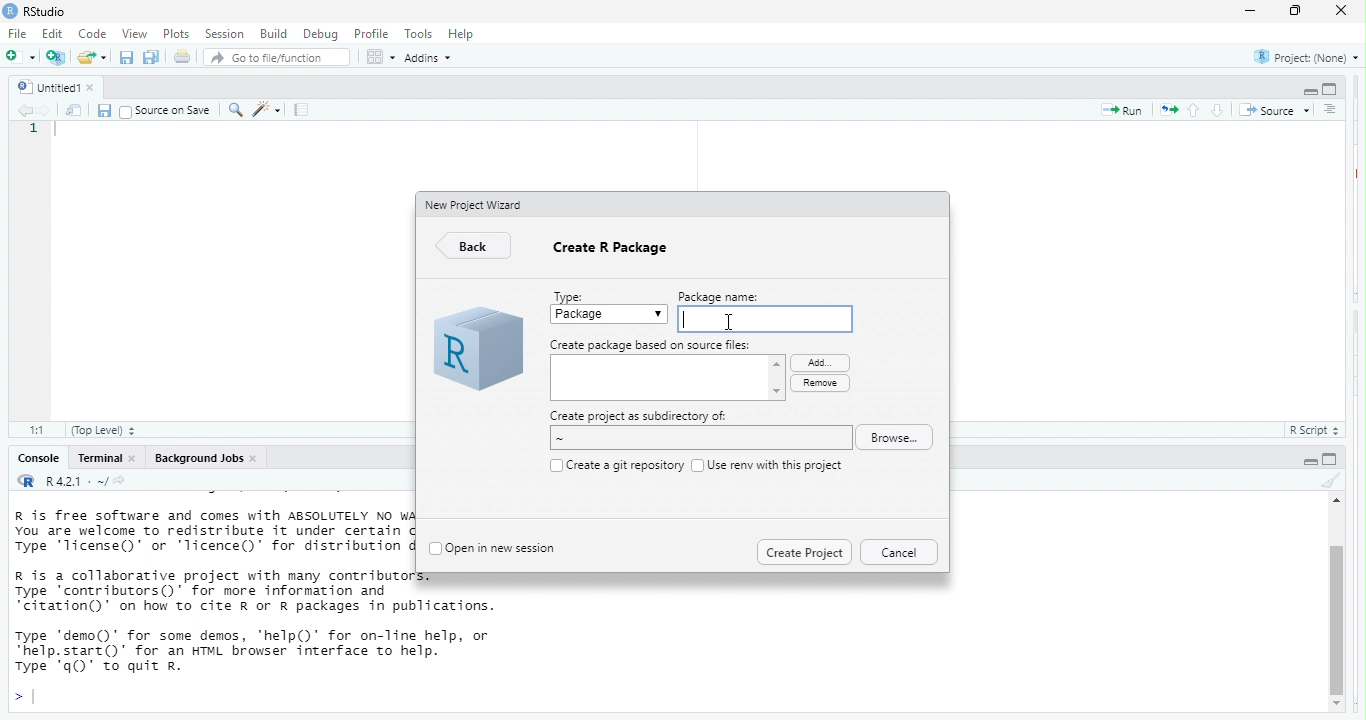 The height and width of the screenshot is (720, 1366). What do you see at coordinates (1167, 111) in the screenshot?
I see `re run the previous code` at bounding box center [1167, 111].